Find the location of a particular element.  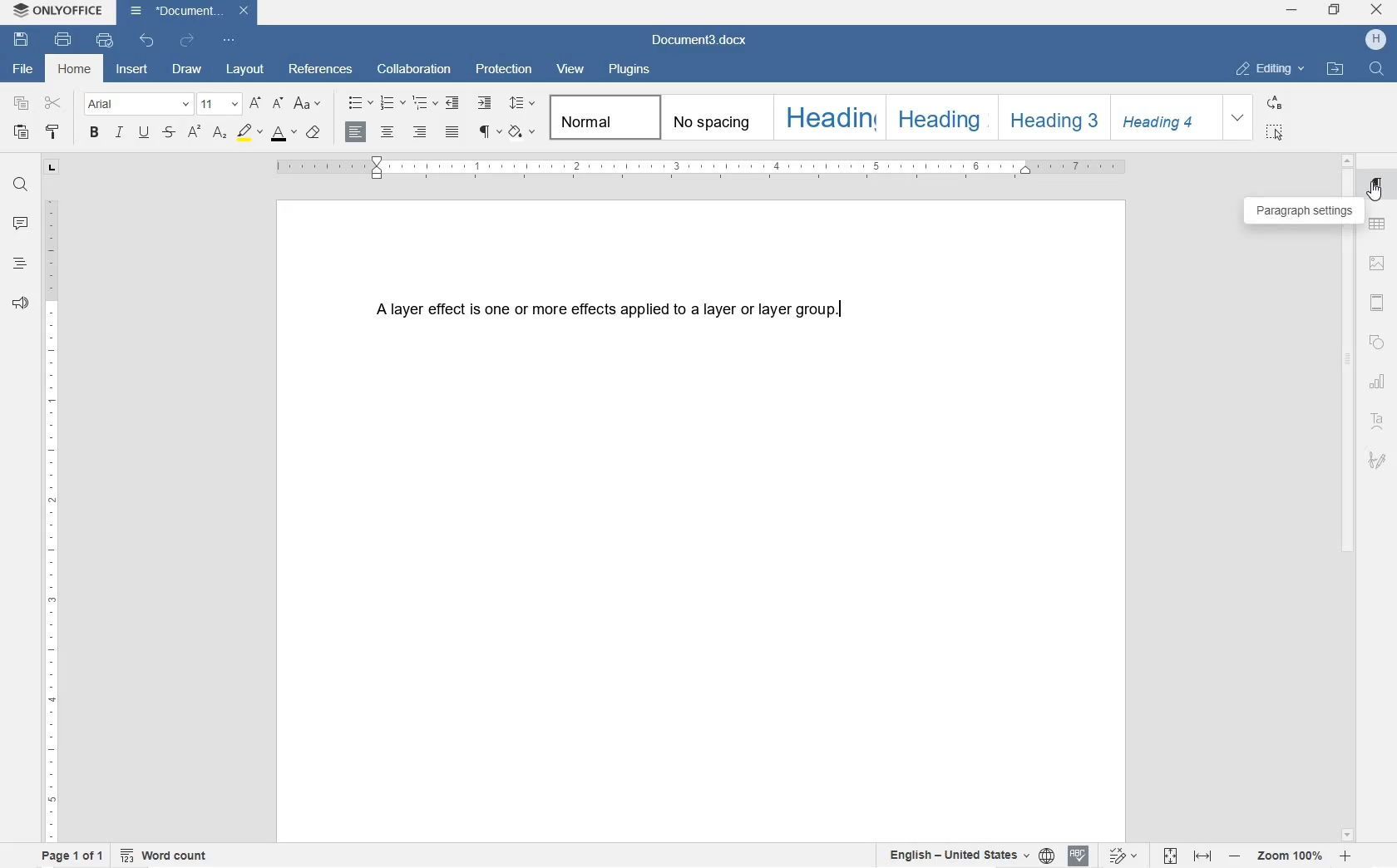

REDO is located at coordinates (189, 41).